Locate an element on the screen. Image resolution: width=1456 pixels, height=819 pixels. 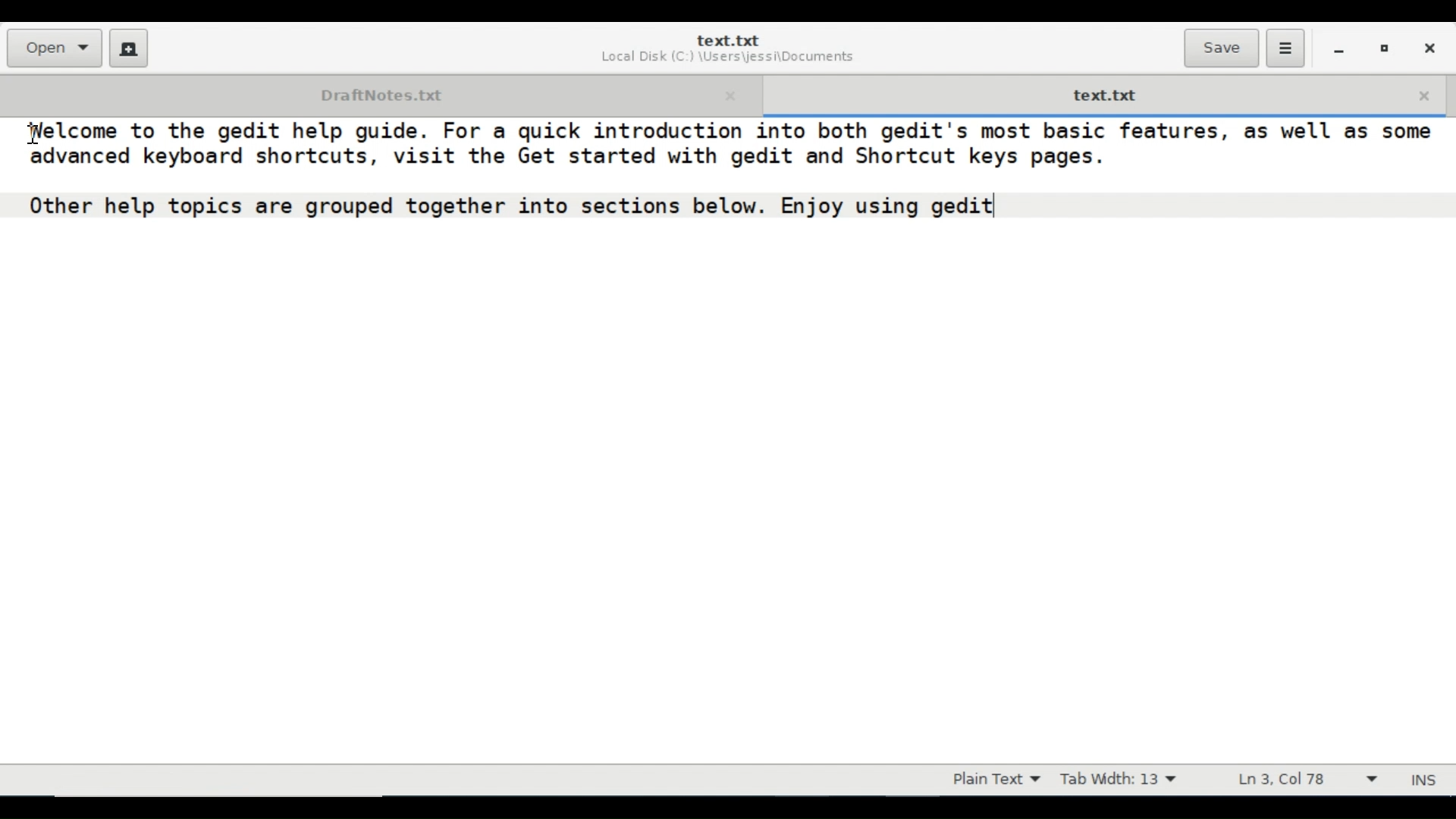
 is located at coordinates (510, 206).